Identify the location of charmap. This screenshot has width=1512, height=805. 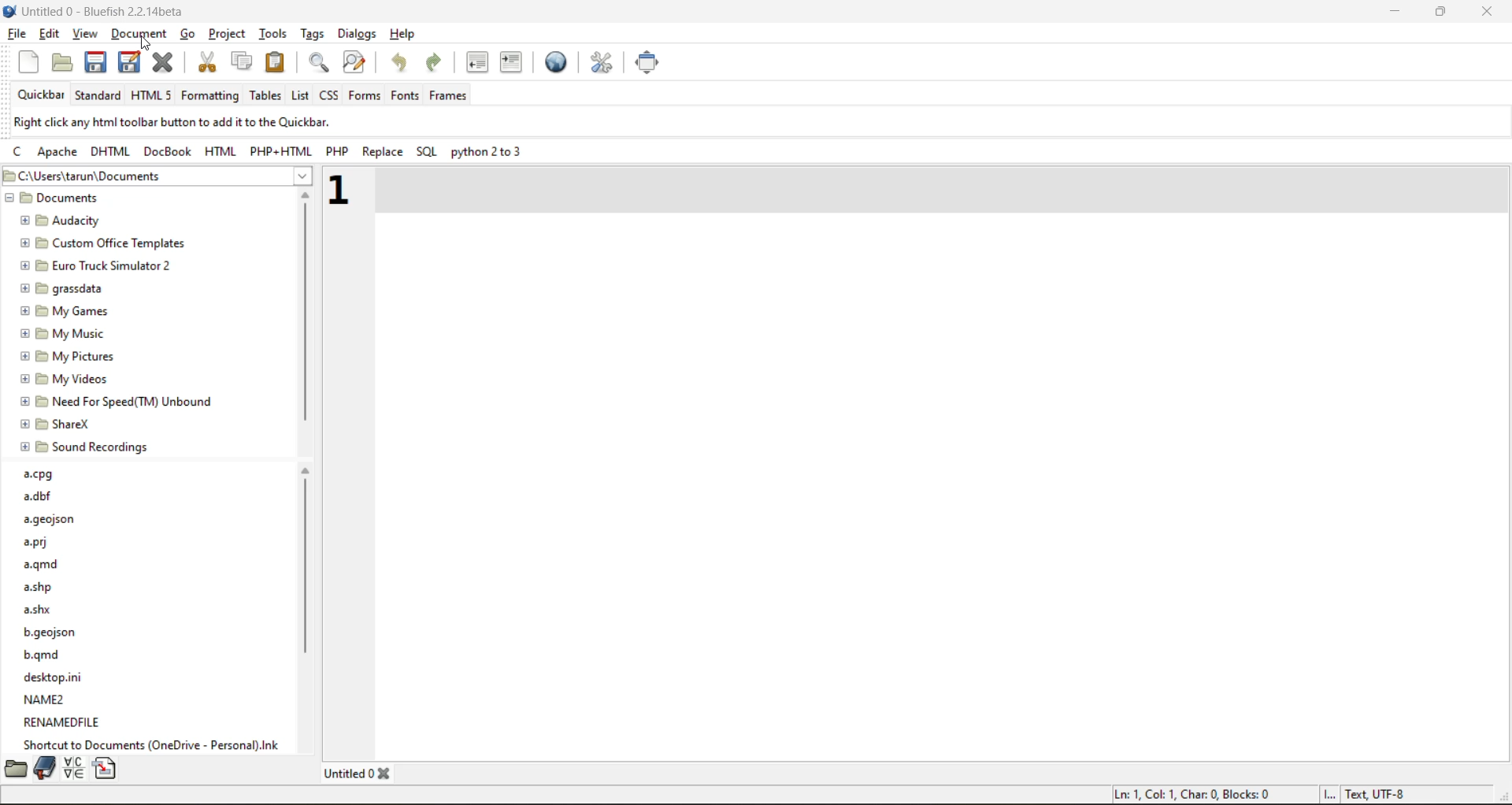
(76, 768).